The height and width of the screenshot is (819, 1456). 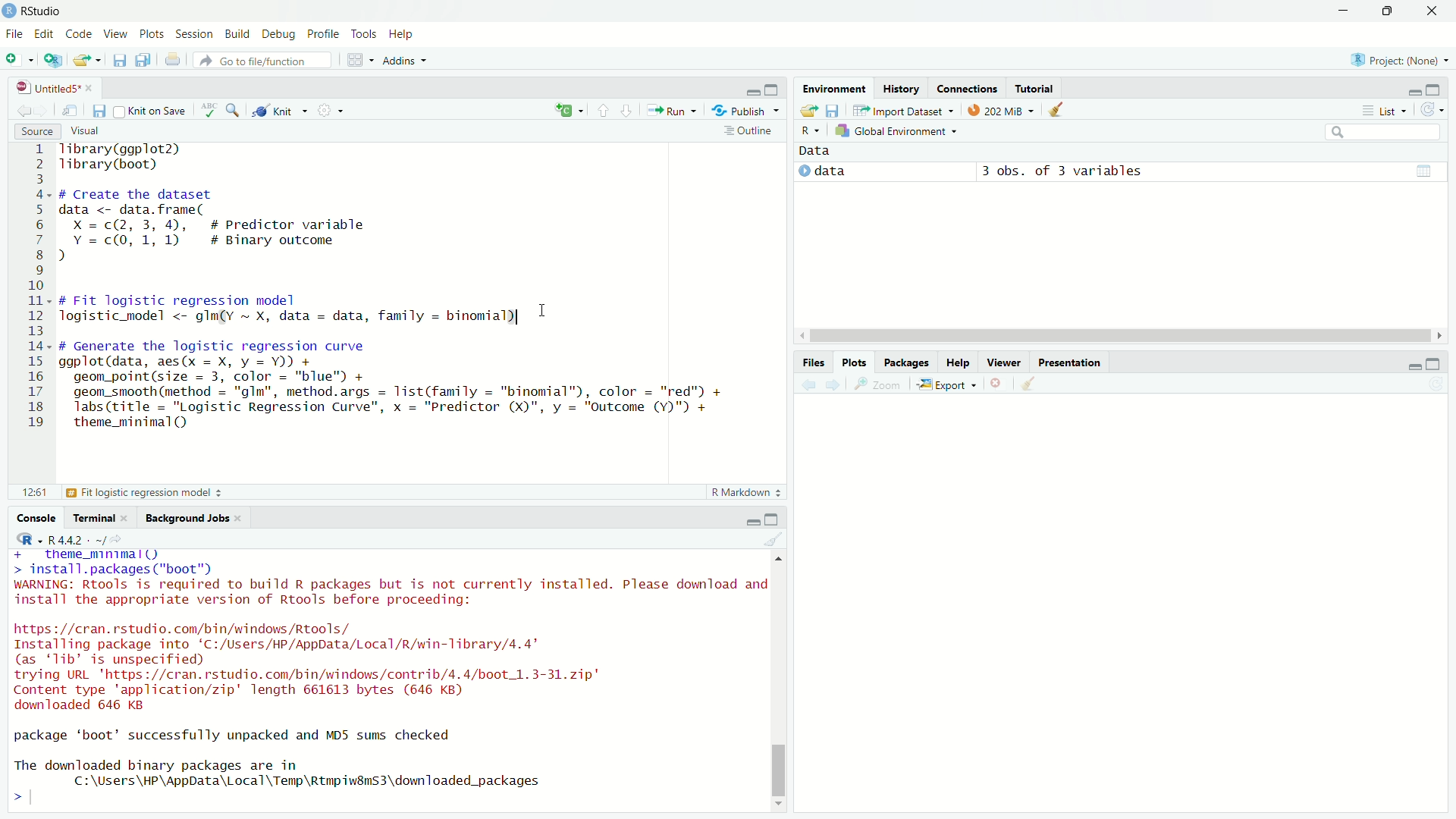 What do you see at coordinates (999, 383) in the screenshot?
I see `Remove current plot` at bounding box center [999, 383].